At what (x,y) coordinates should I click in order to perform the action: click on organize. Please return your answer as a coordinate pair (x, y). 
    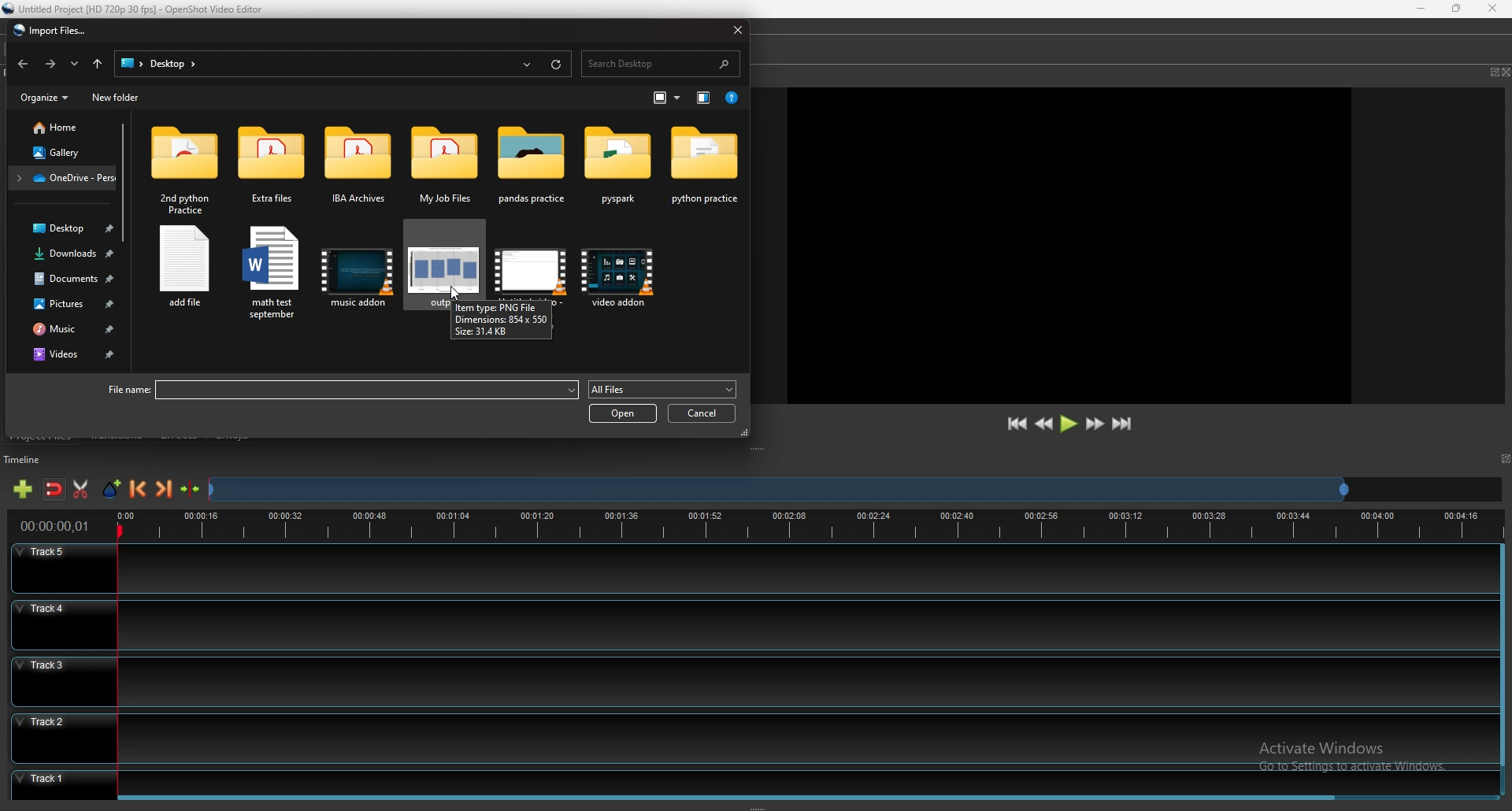
    Looking at the image, I should click on (46, 97).